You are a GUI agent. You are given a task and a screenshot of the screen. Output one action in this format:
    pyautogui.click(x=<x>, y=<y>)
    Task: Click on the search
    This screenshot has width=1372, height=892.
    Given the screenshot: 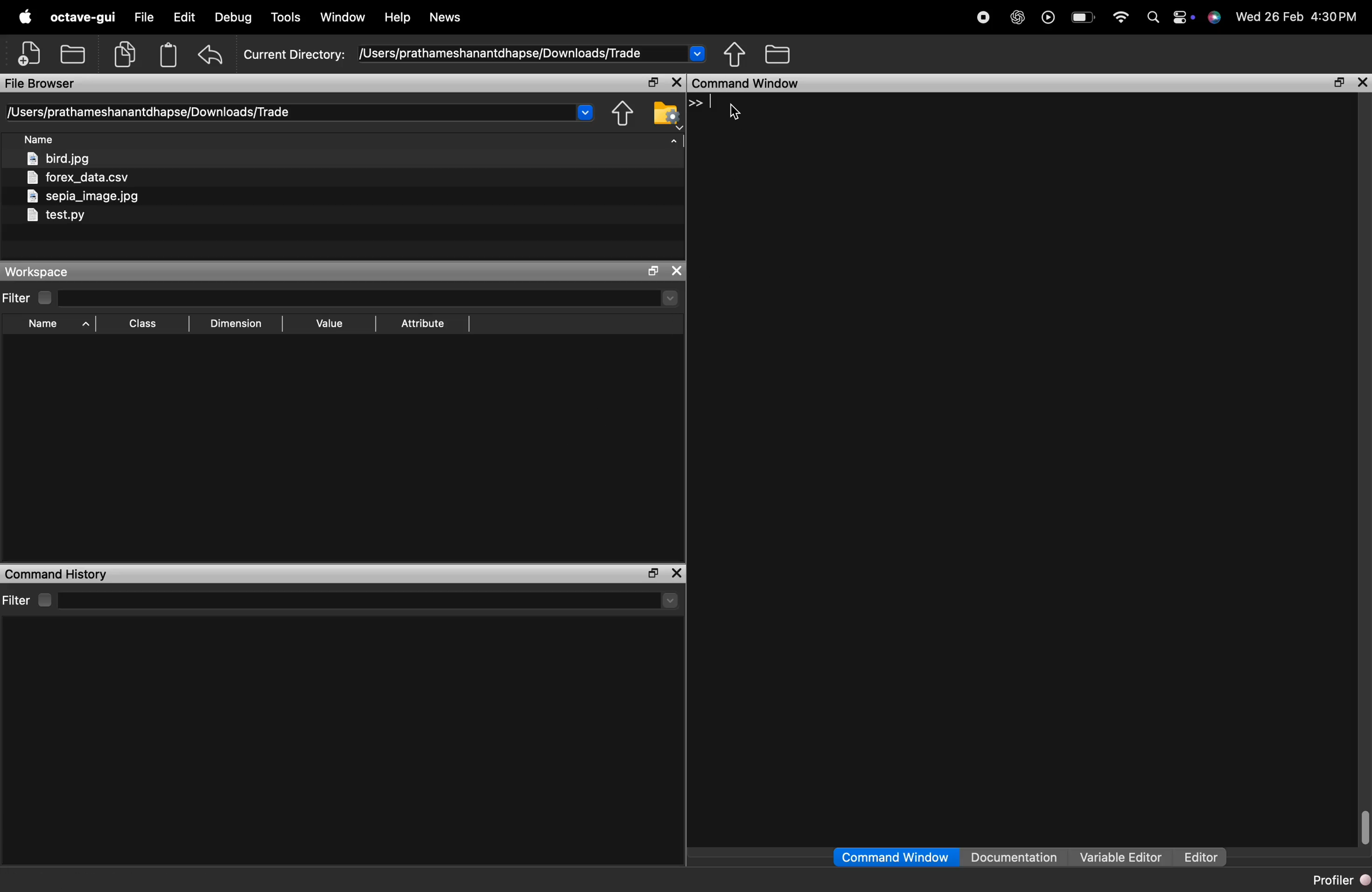 What is the action you would take?
    pyautogui.click(x=1153, y=20)
    